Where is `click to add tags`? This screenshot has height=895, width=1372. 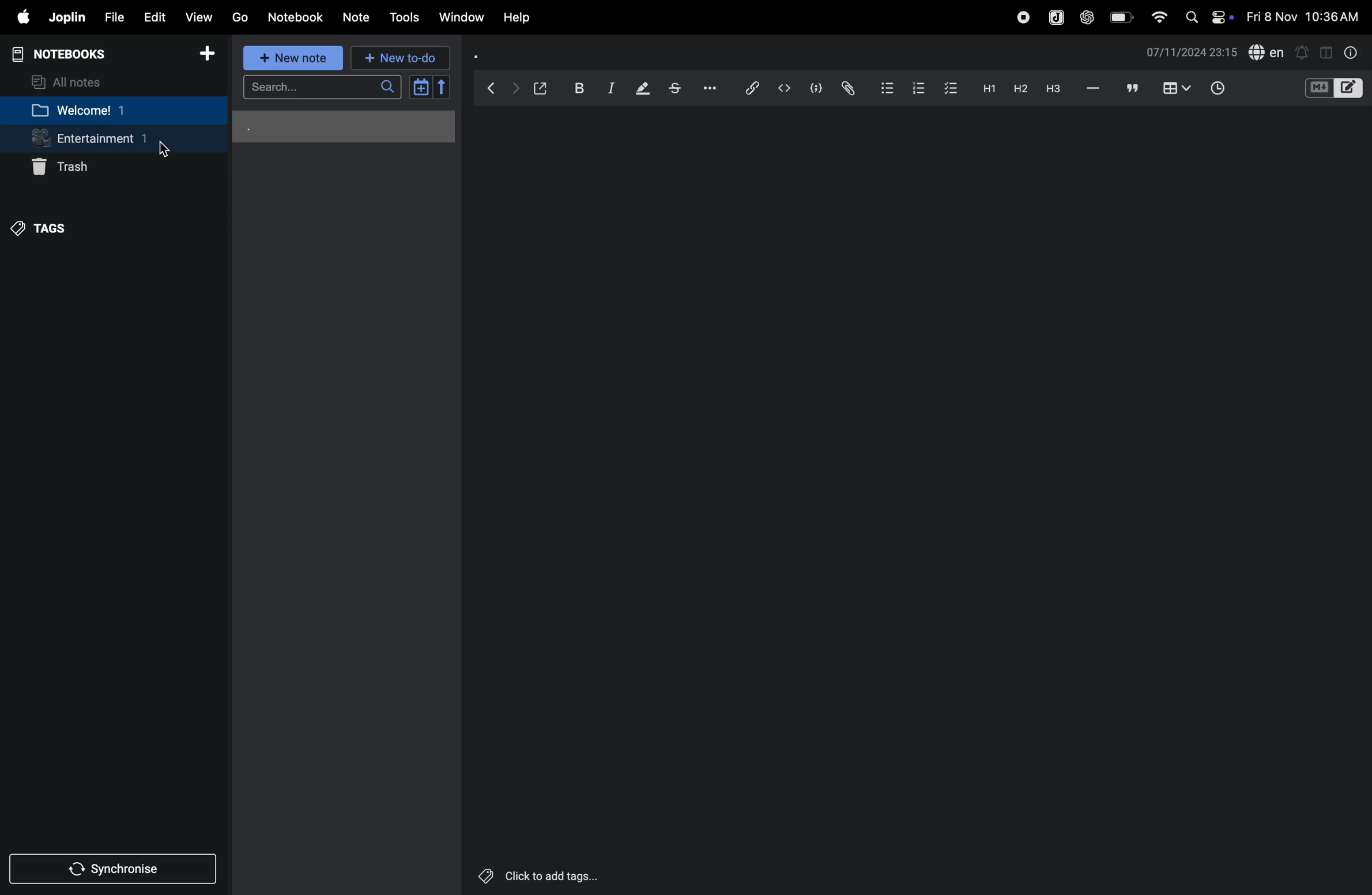
click to add tags is located at coordinates (541, 876).